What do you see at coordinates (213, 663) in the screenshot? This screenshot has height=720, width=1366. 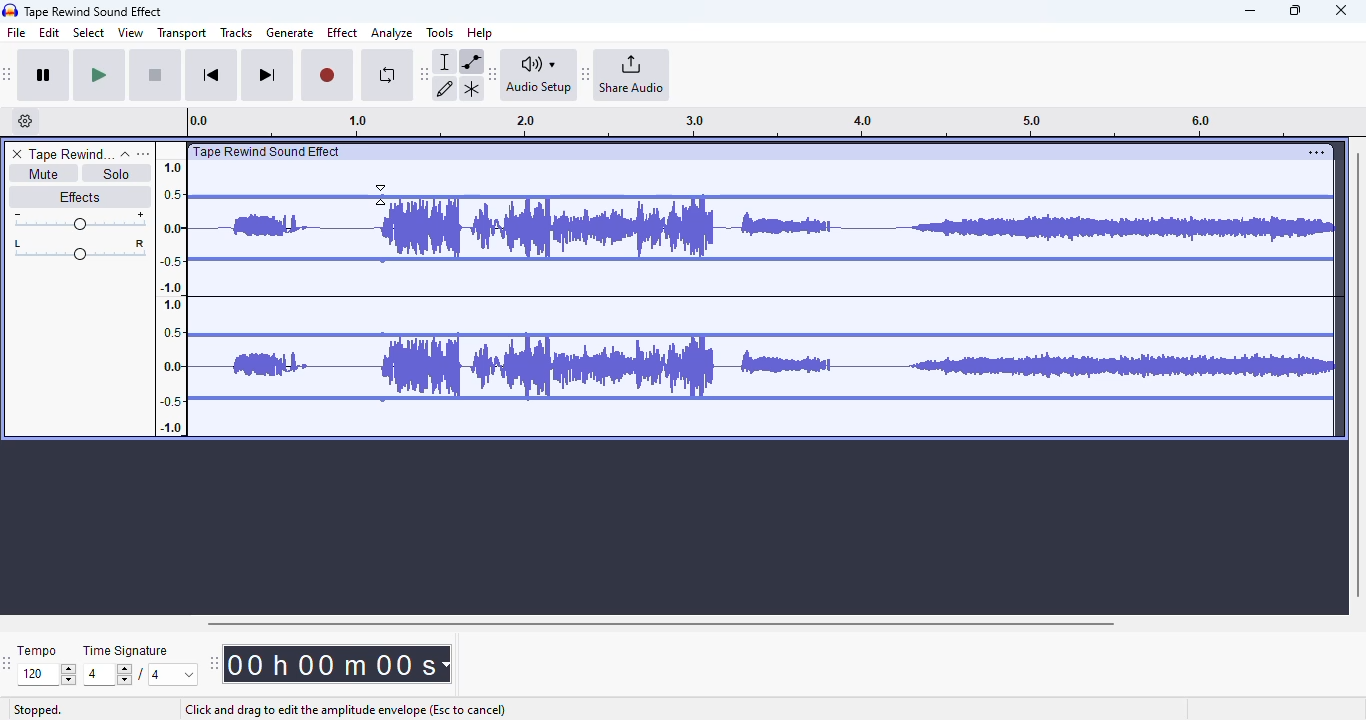 I see `Move audacity time toolbar` at bounding box center [213, 663].